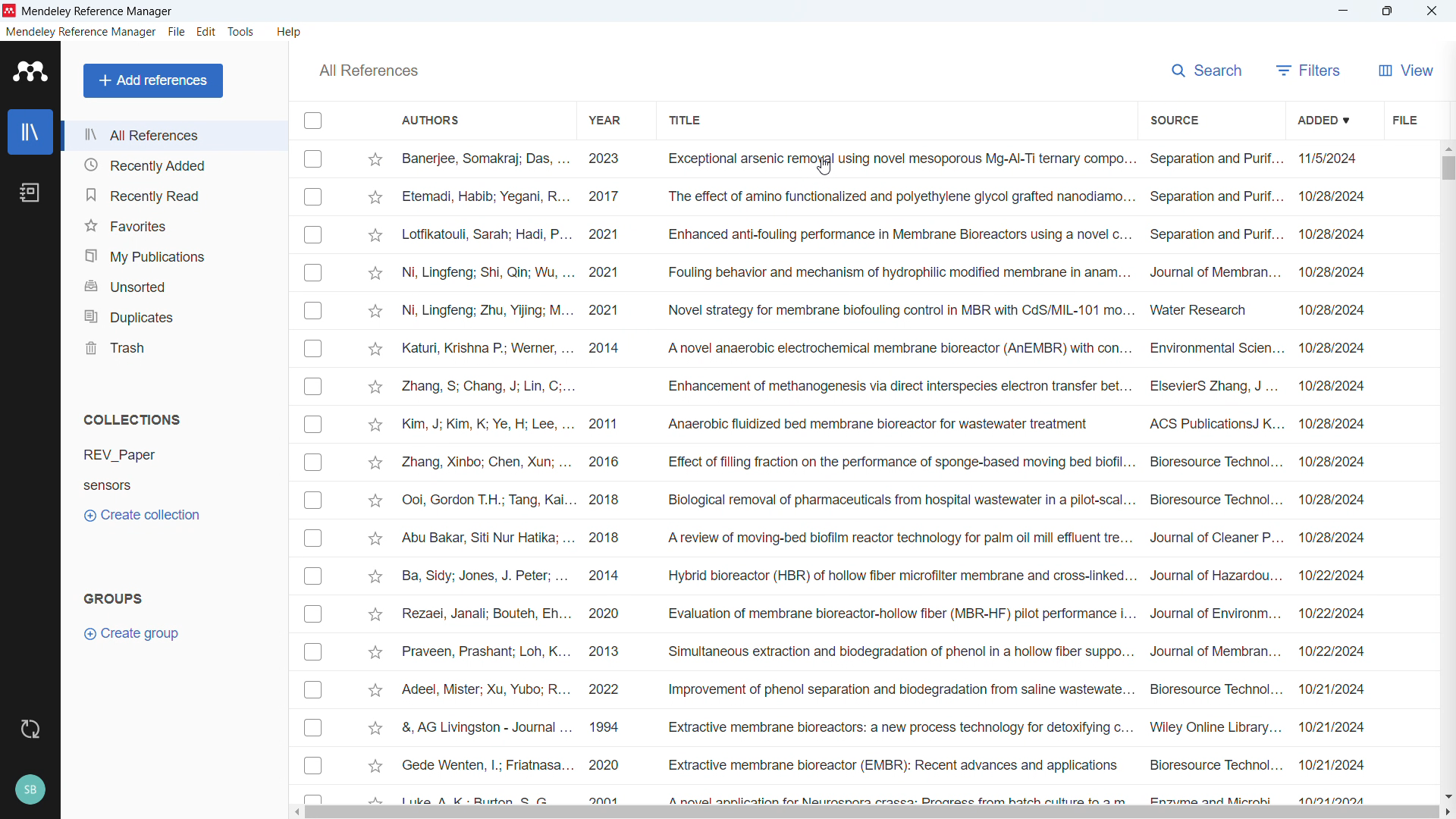 The width and height of the screenshot is (1456, 819). I want to click on click to starmark individuals entries, so click(377, 797).